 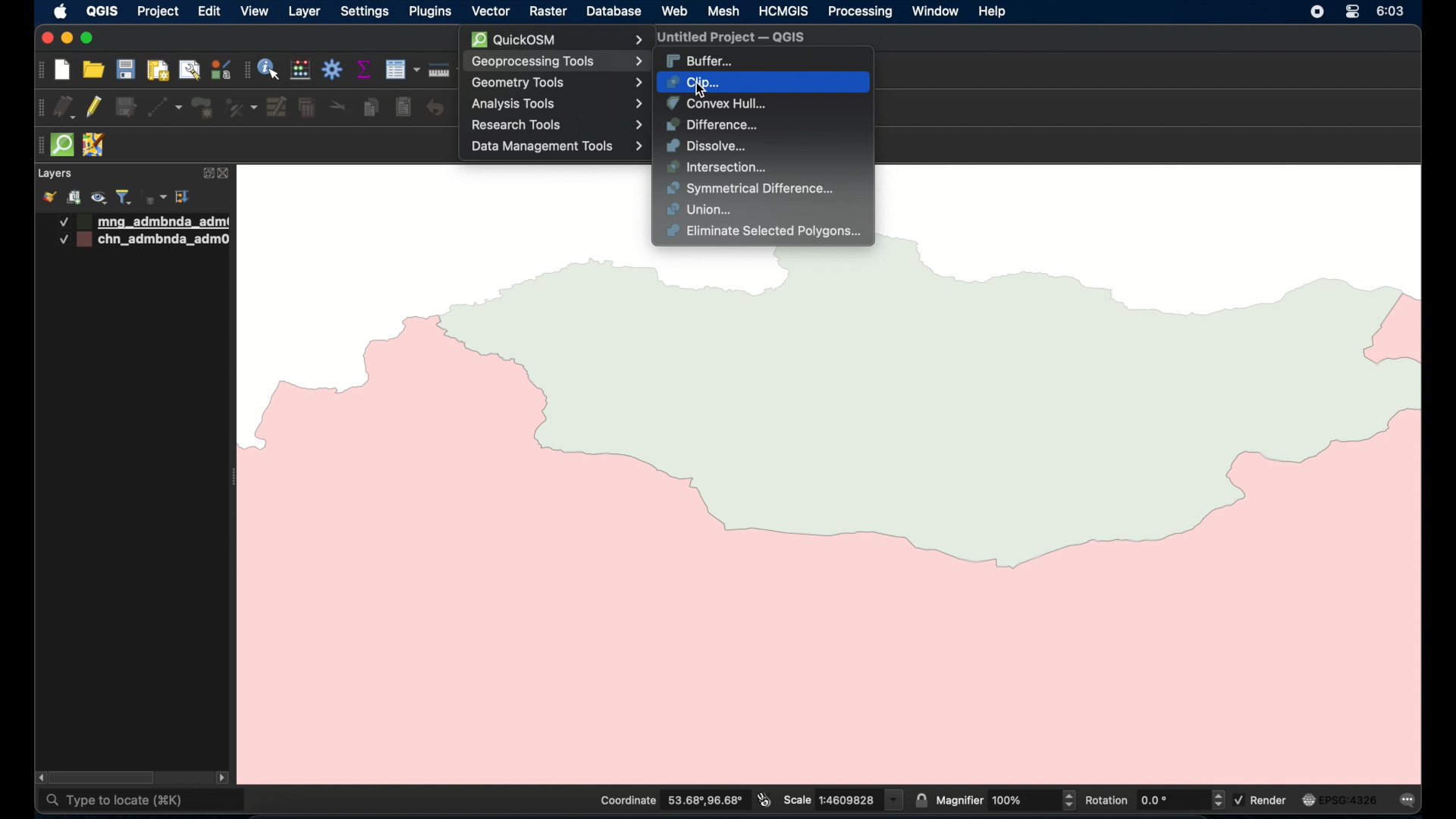 What do you see at coordinates (557, 125) in the screenshot?
I see `research tools menu` at bounding box center [557, 125].